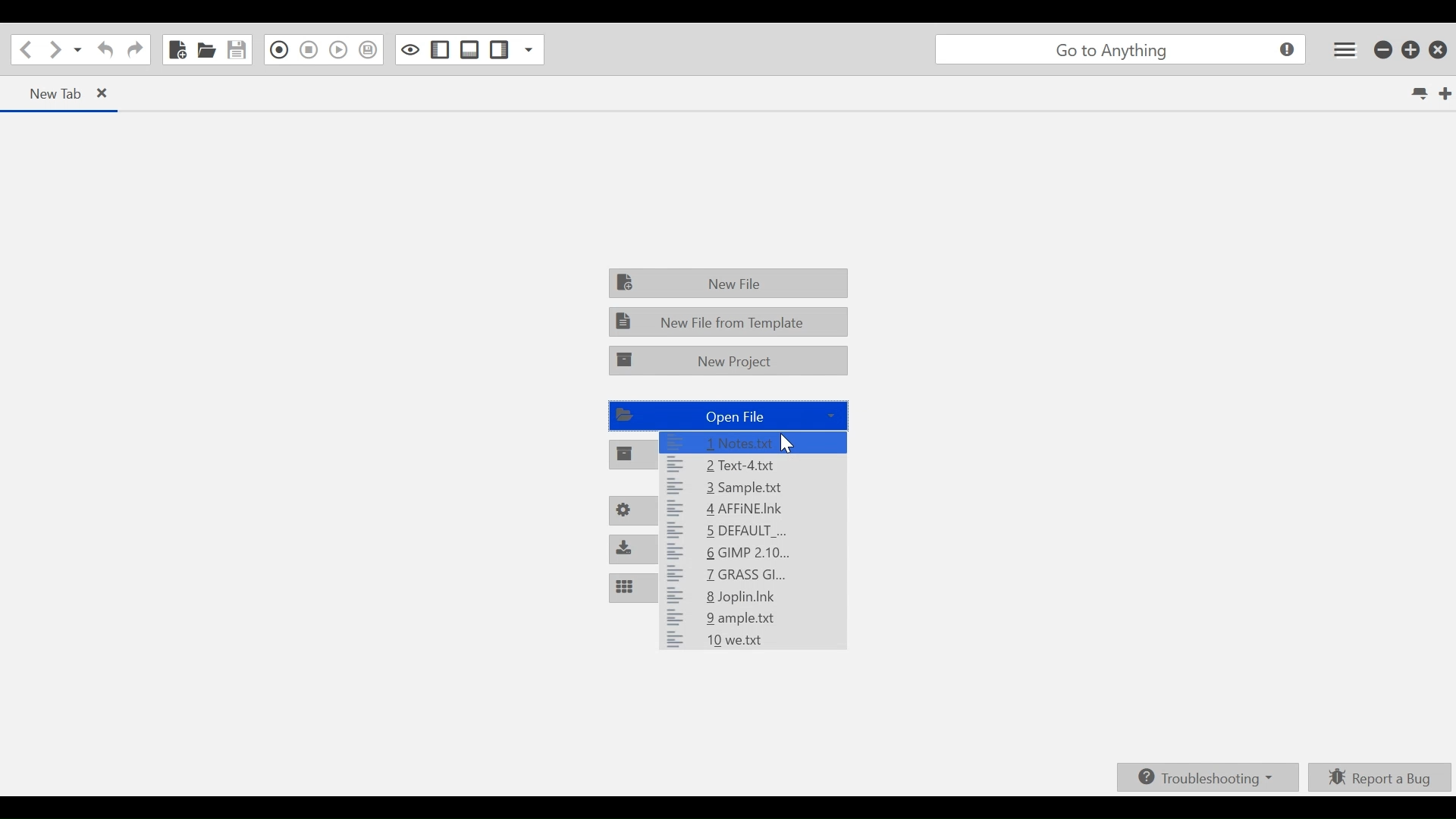 This screenshot has width=1456, height=819. I want to click on 6 GIMP 2.10..., so click(753, 554).